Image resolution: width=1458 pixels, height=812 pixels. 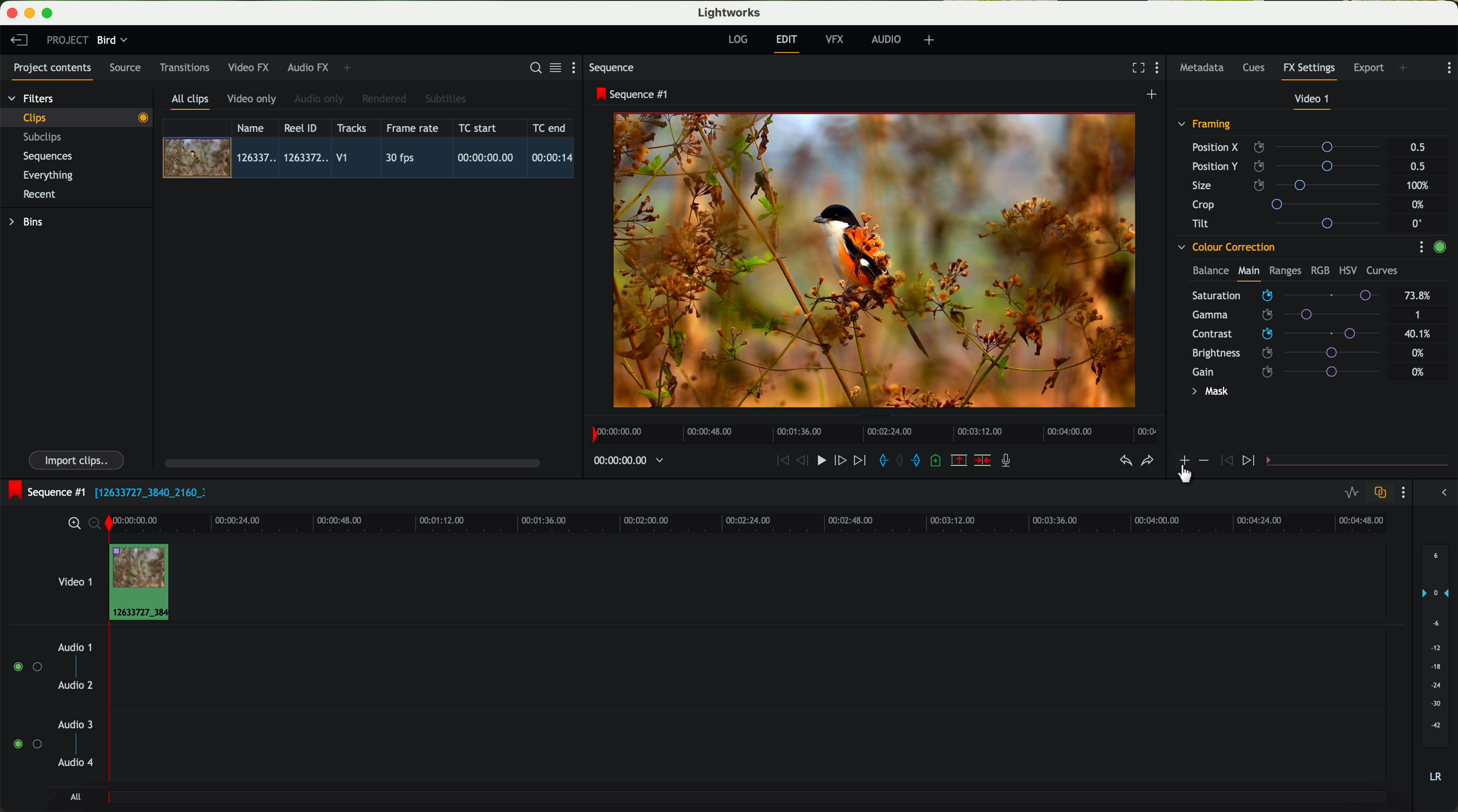 I want to click on sequence, so click(x=612, y=68).